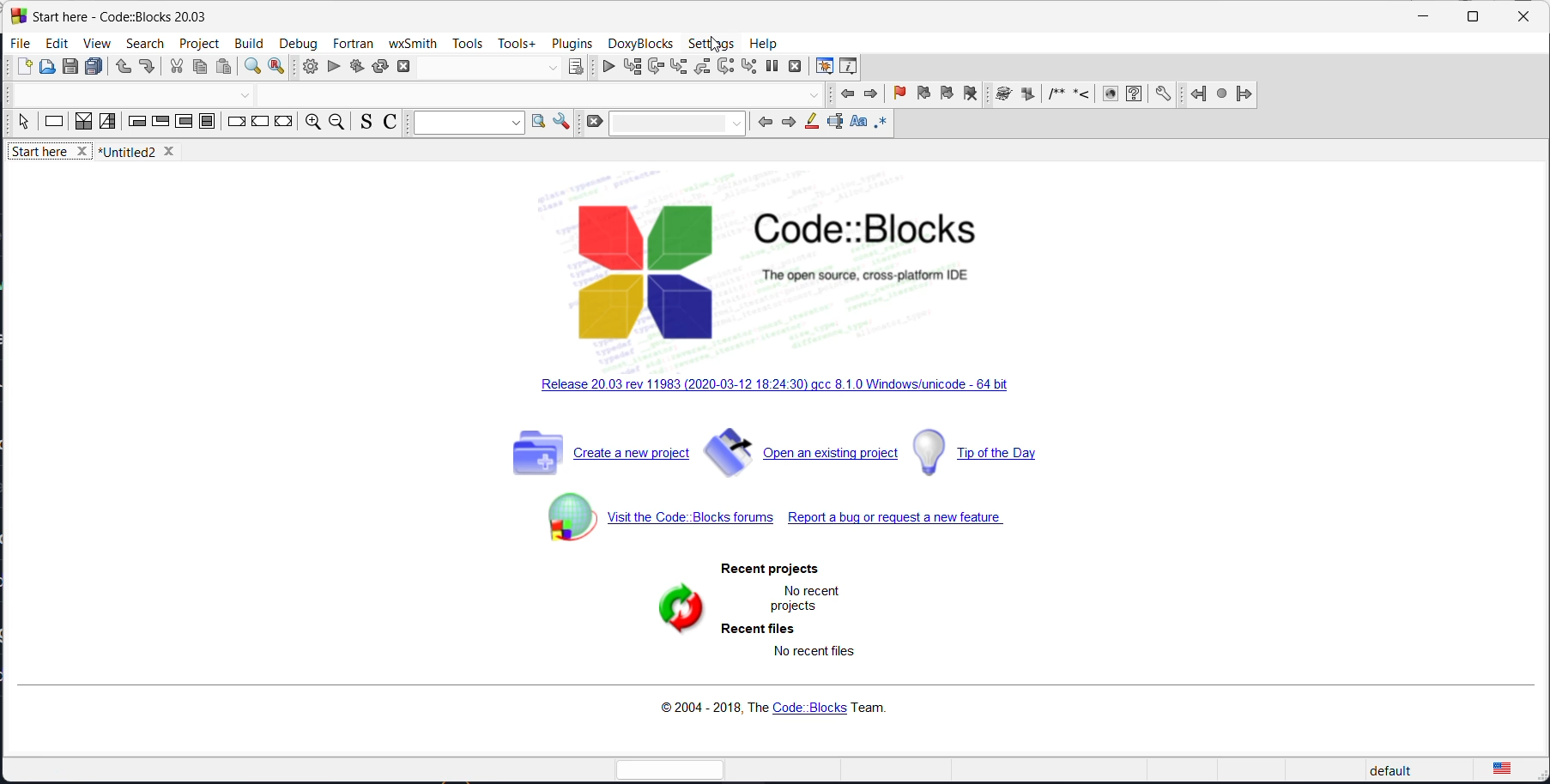  I want to click on settings, so click(713, 44).